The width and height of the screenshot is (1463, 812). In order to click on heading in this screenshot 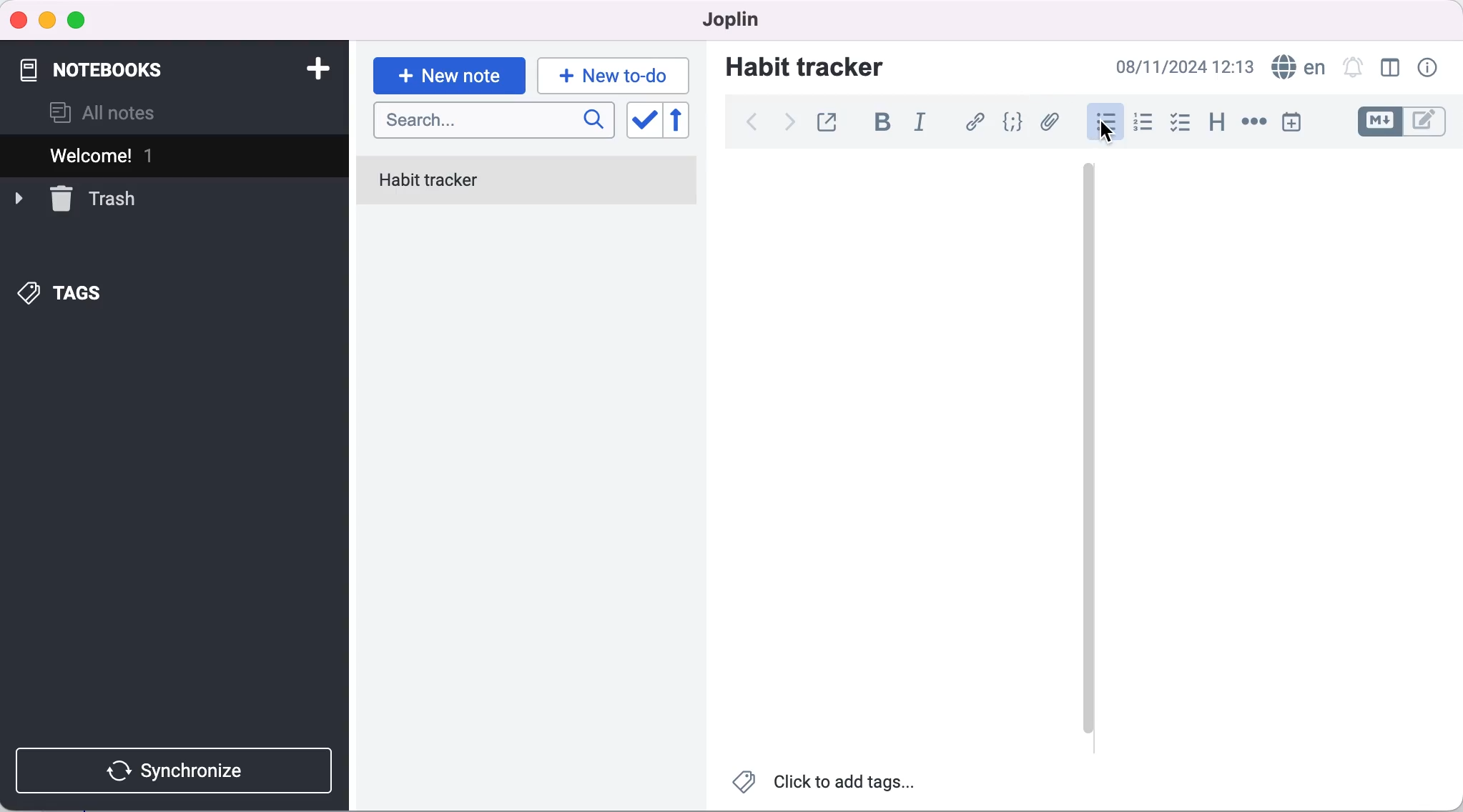, I will do `click(1218, 123)`.